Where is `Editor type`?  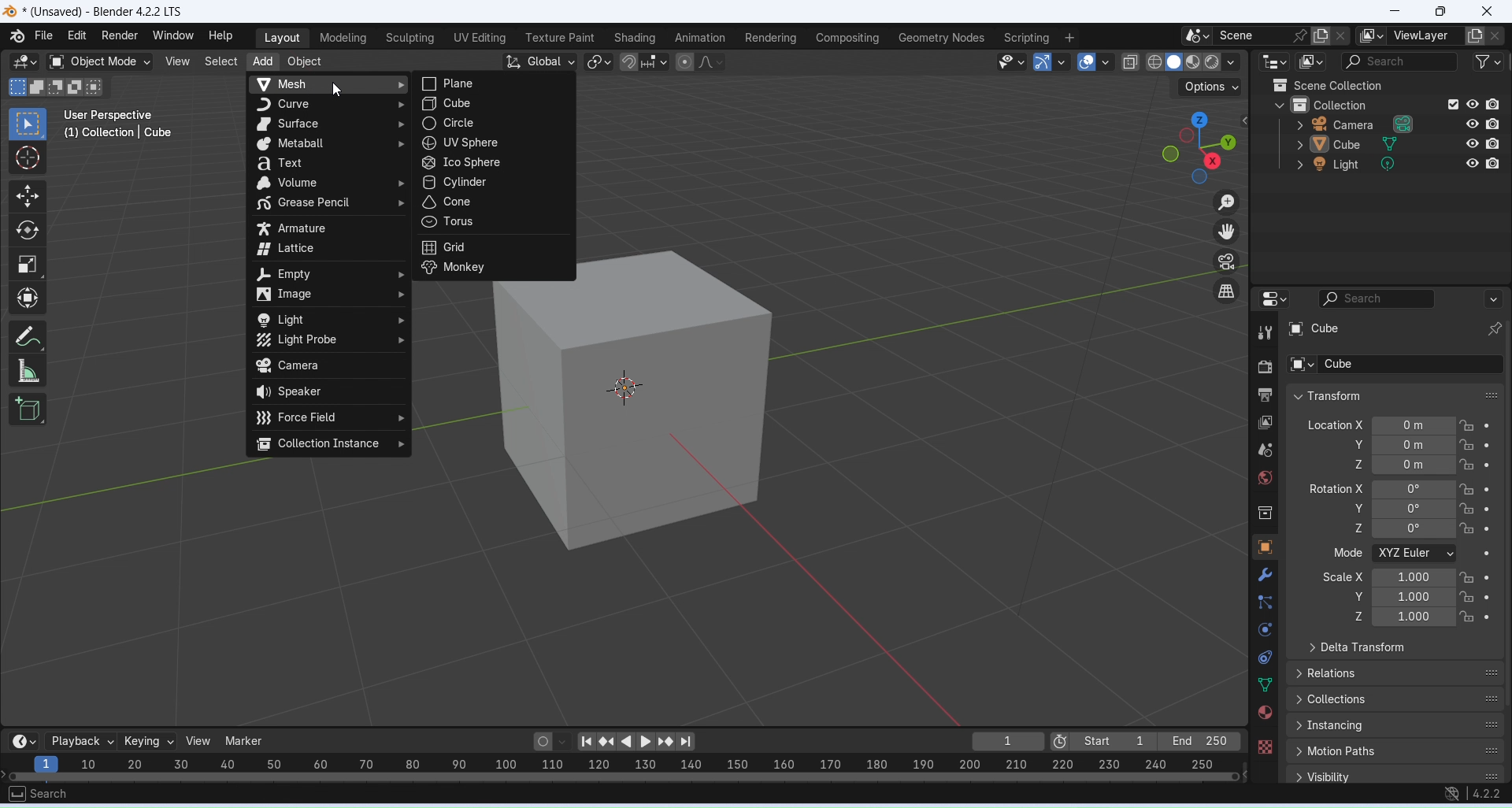
Editor type is located at coordinates (21, 740).